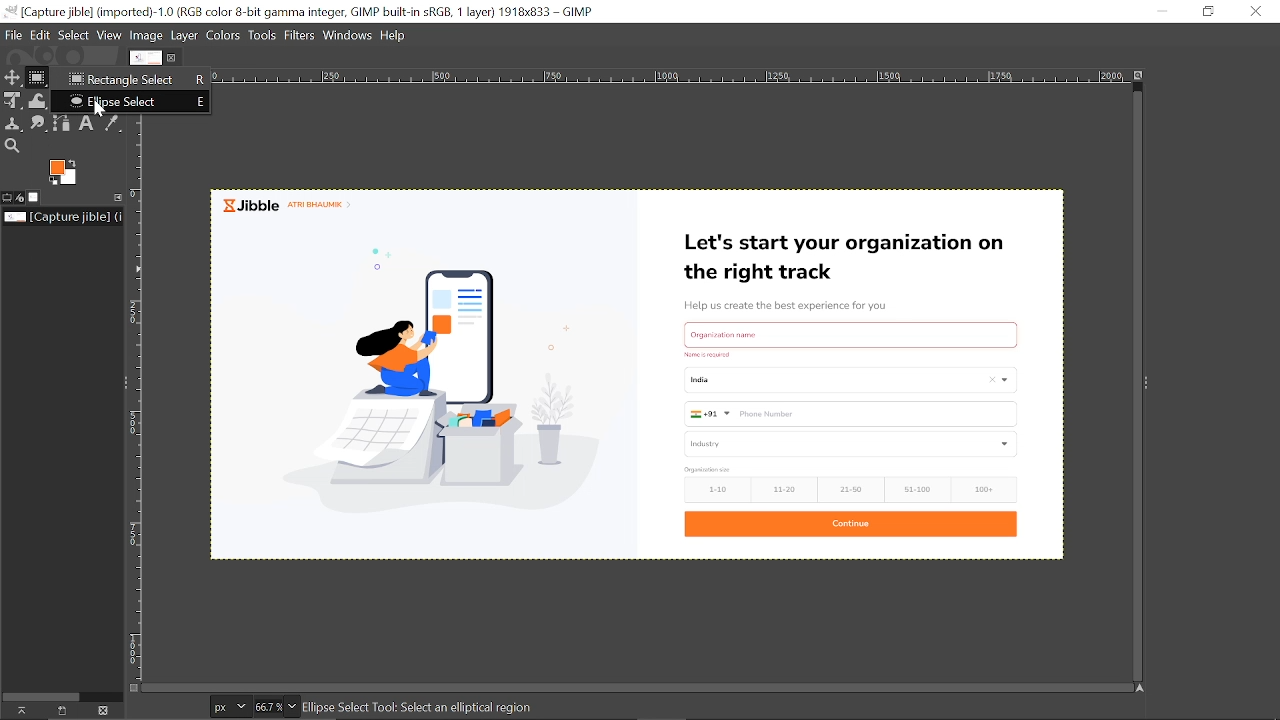 The height and width of the screenshot is (720, 1280). Describe the element at coordinates (150, 34) in the screenshot. I see `Image` at that location.